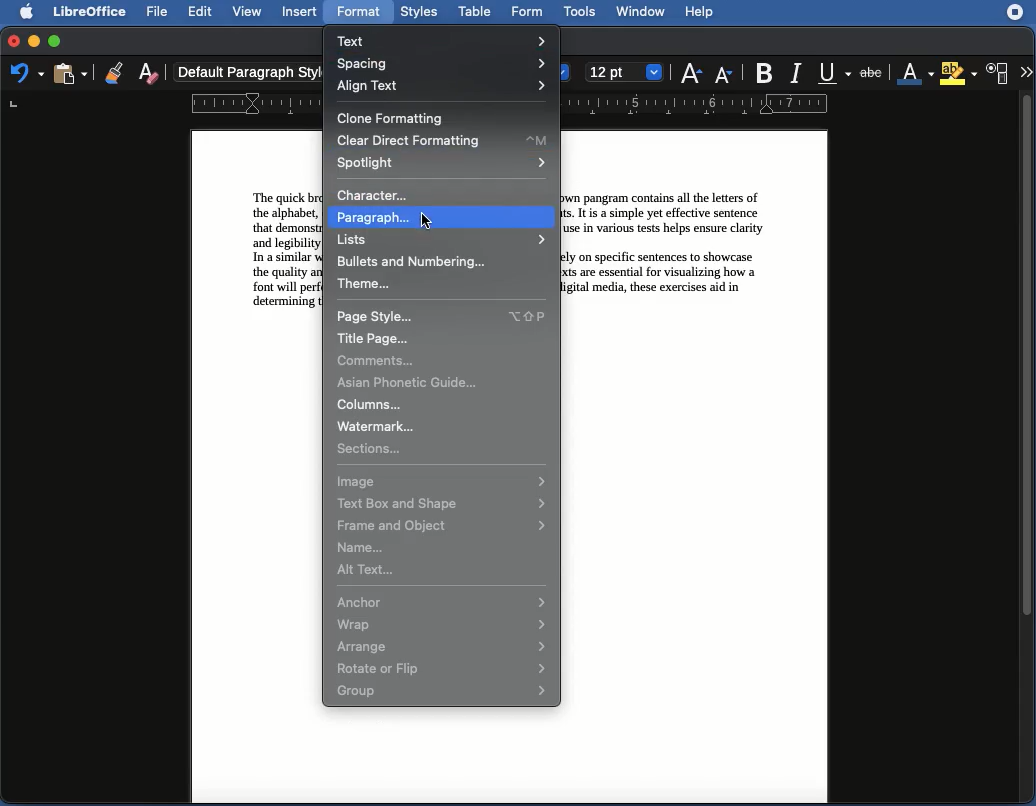 This screenshot has height=806, width=1036. What do you see at coordinates (32, 39) in the screenshot?
I see `Minimize` at bounding box center [32, 39].